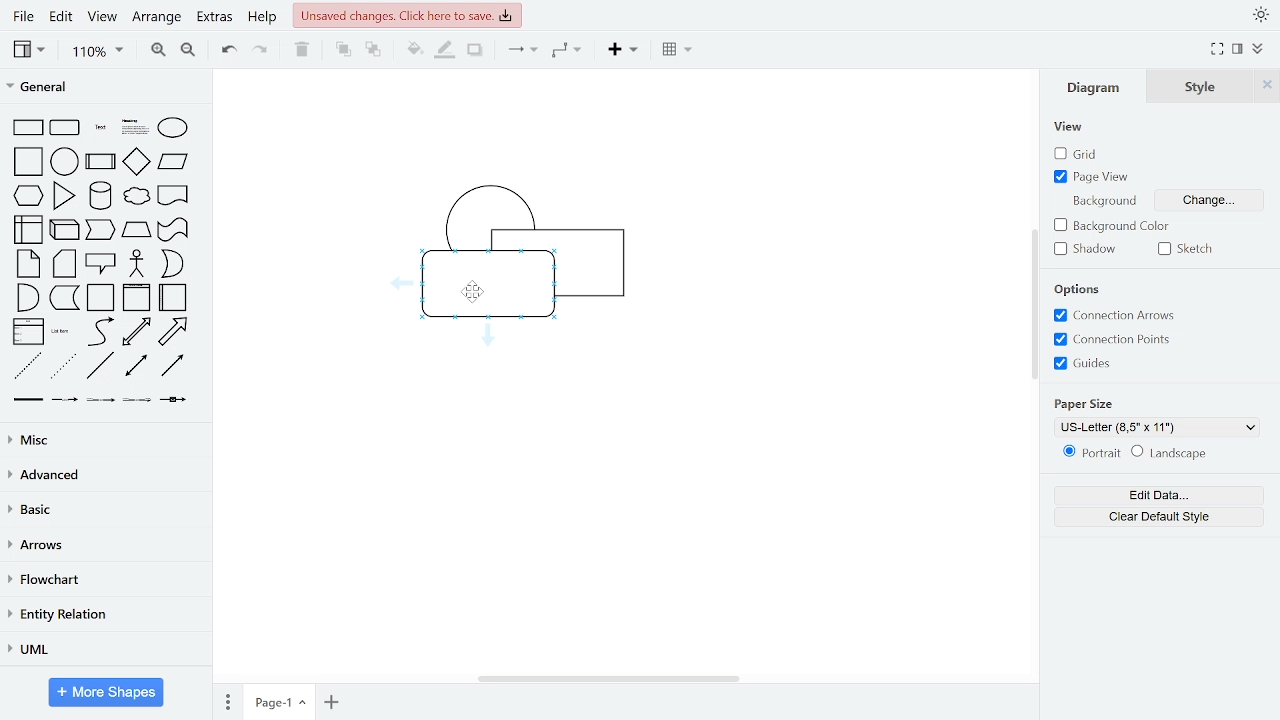 The height and width of the screenshot is (720, 1280). What do you see at coordinates (1094, 454) in the screenshot?
I see `portrait` at bounding box center [1094, 454].